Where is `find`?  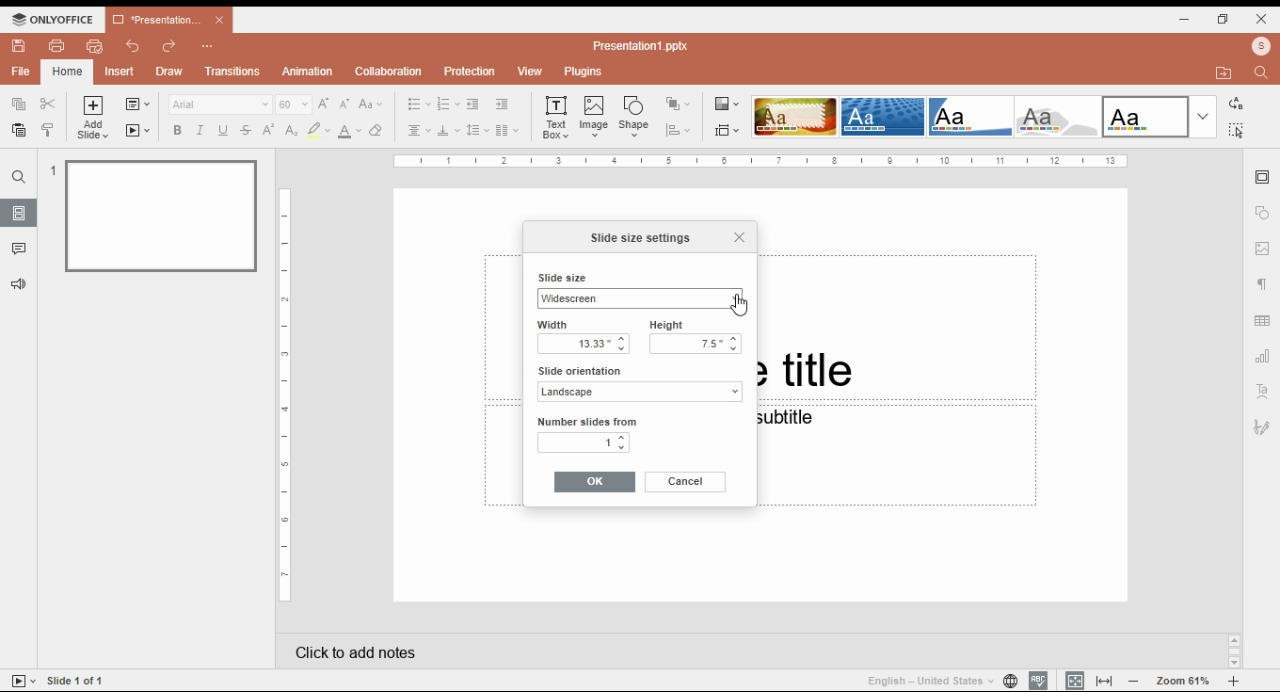 find is located at coordinates (19, 177).